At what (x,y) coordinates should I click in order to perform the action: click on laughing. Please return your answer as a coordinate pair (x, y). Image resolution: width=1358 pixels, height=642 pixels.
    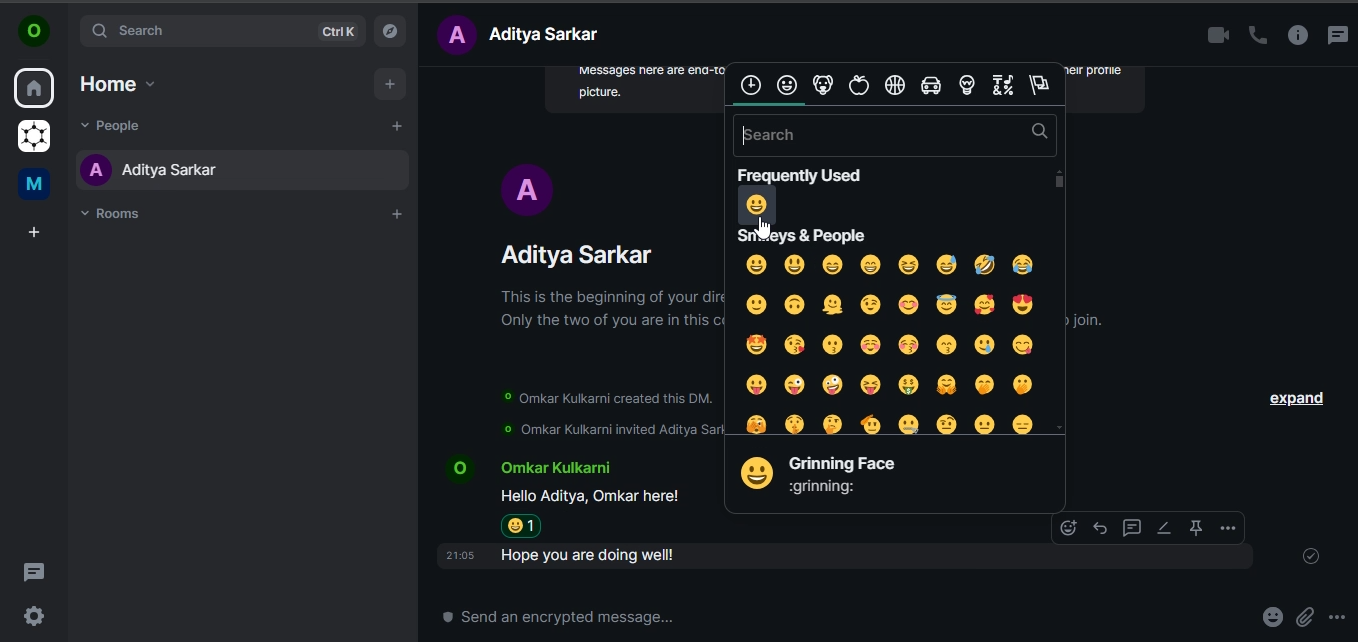
    Looking at the image, I should click on (983, 264).